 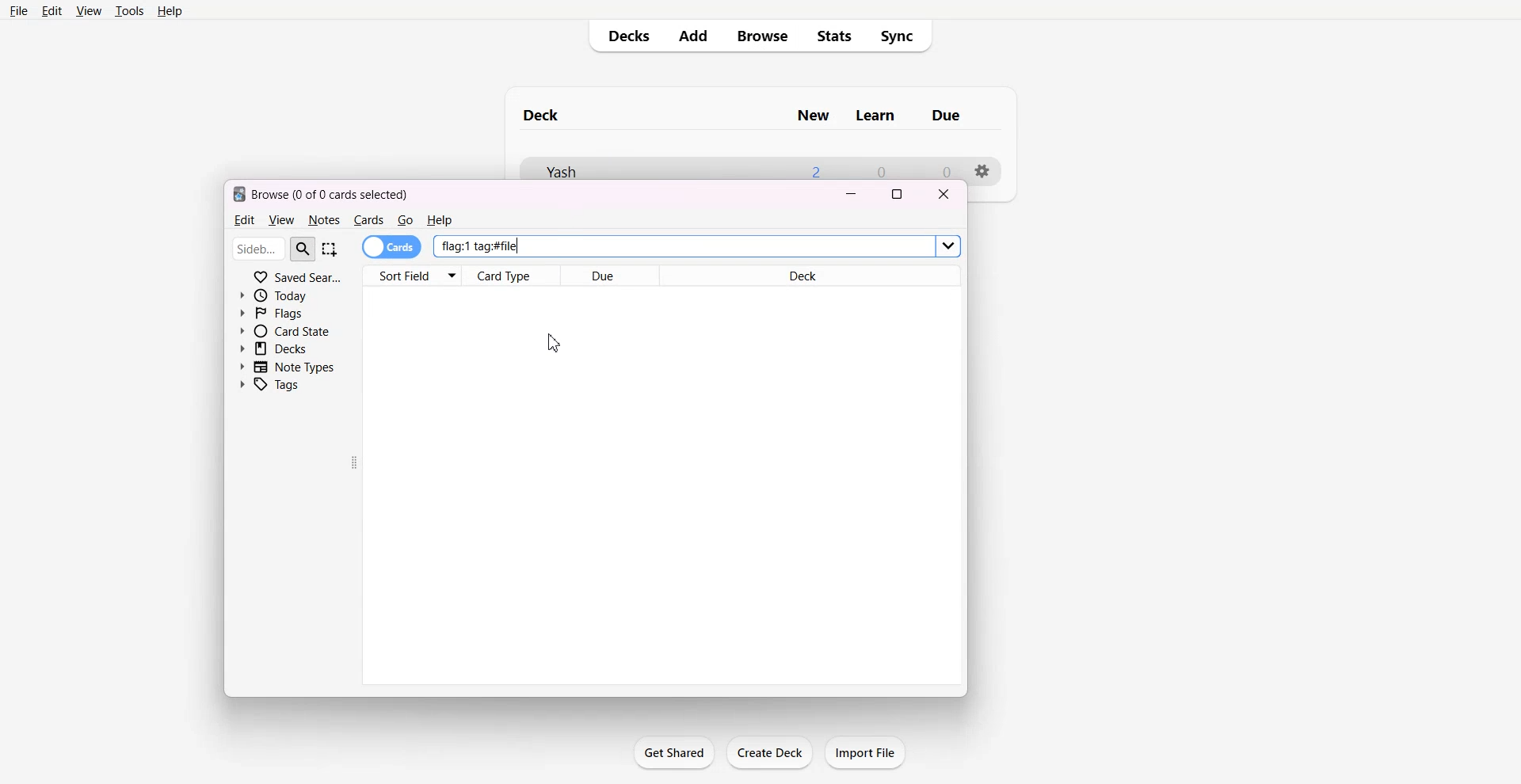 I want to click on Edit, so click(x=52, y=10).